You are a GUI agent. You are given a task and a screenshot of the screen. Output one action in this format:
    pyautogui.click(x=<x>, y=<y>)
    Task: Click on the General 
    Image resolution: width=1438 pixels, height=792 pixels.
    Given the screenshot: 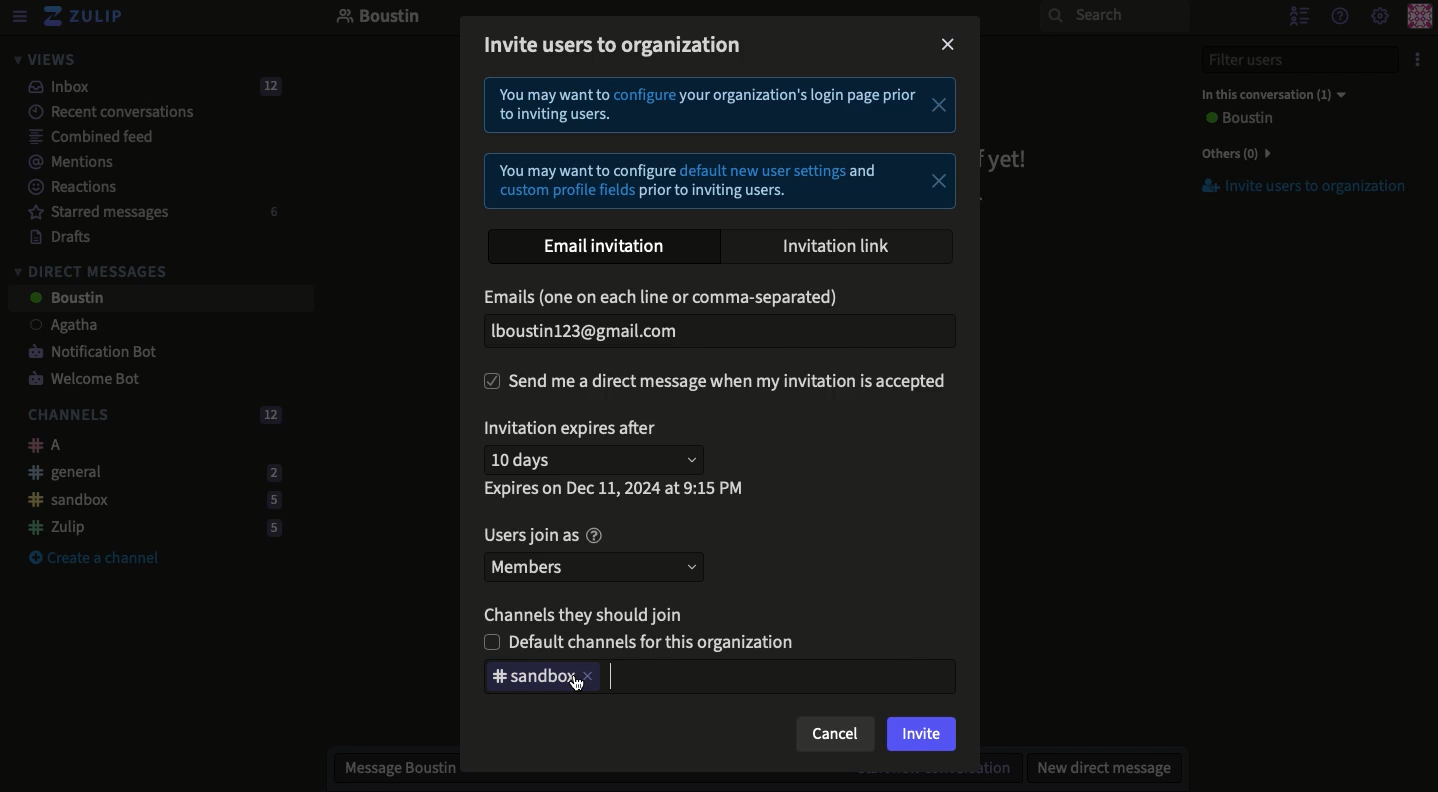 What is the action you would take?
    pyautogui.click(x=149, y=471)
    